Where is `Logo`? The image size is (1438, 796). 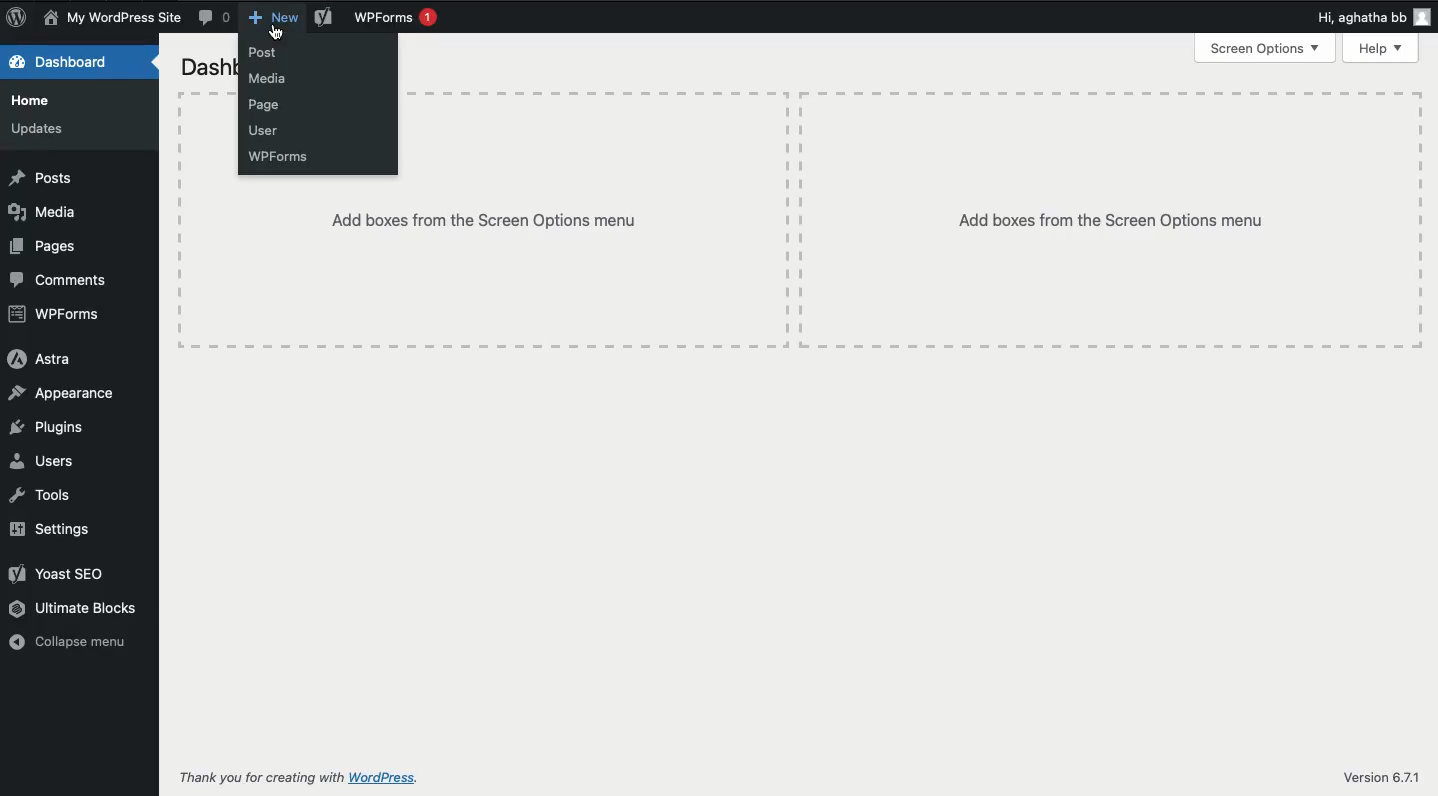
Logo is located at coordinates (15, 19).